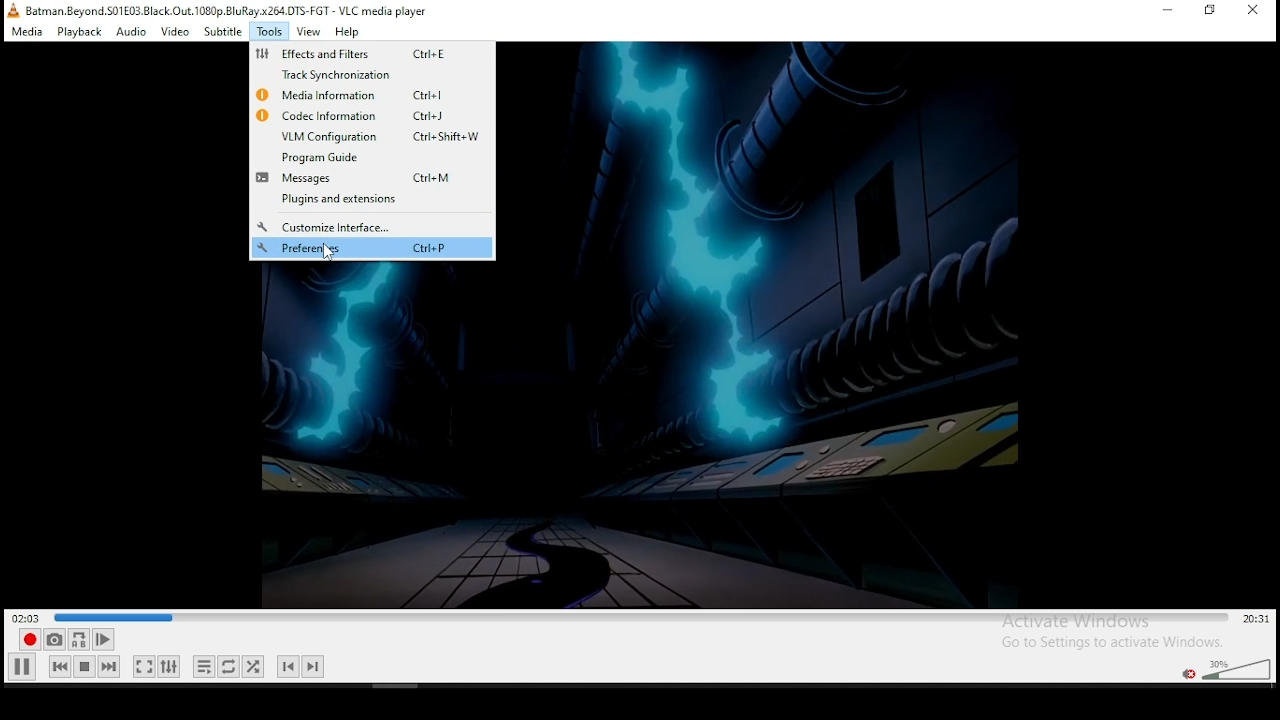 This screenshot has width=1280, height=720. Describe the element at coordinates (369, 94) in the screenshot. I see `media information` at that location.